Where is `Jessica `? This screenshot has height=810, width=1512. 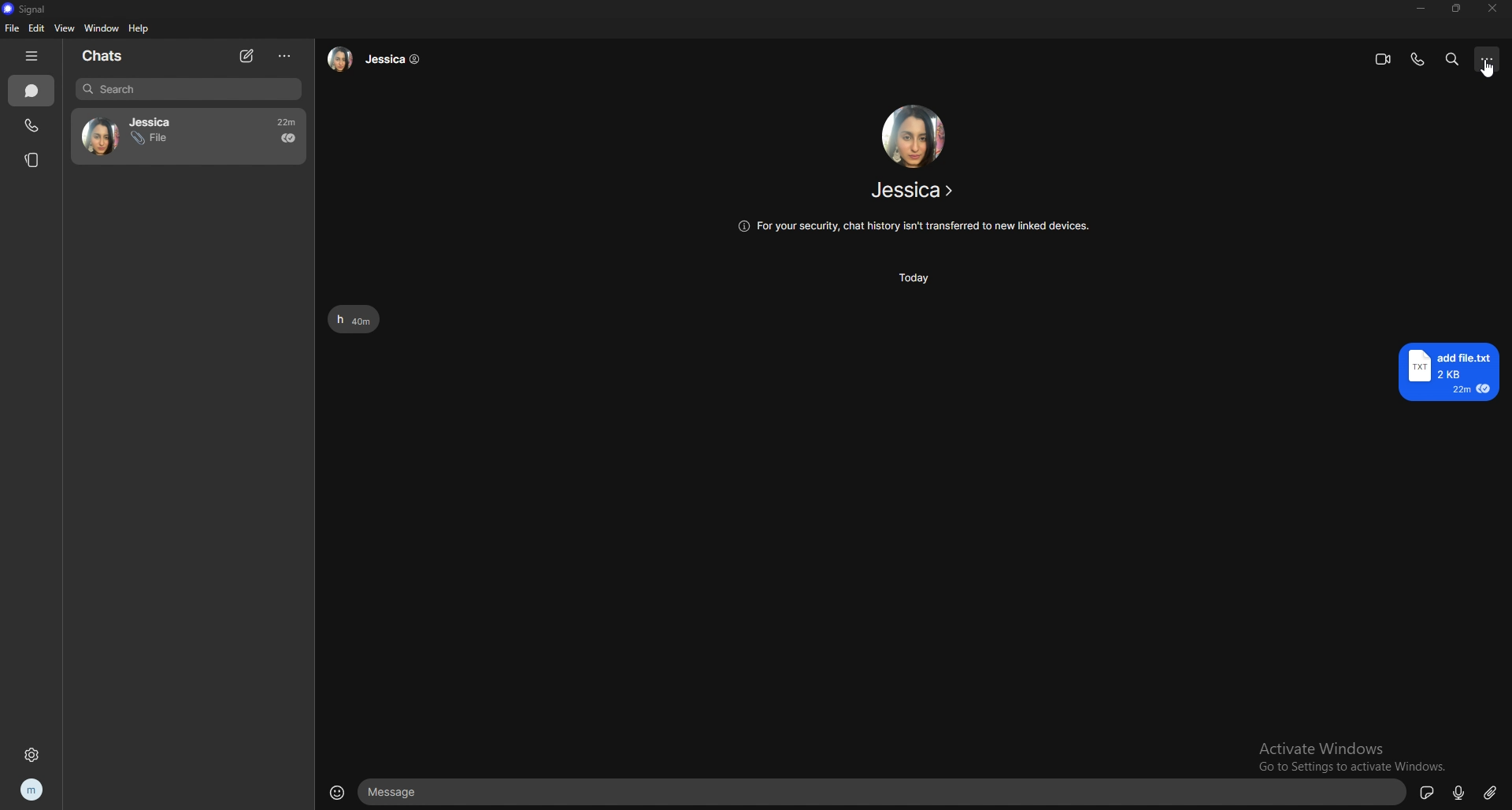
Jessica  is located at coordinates (379, 61).